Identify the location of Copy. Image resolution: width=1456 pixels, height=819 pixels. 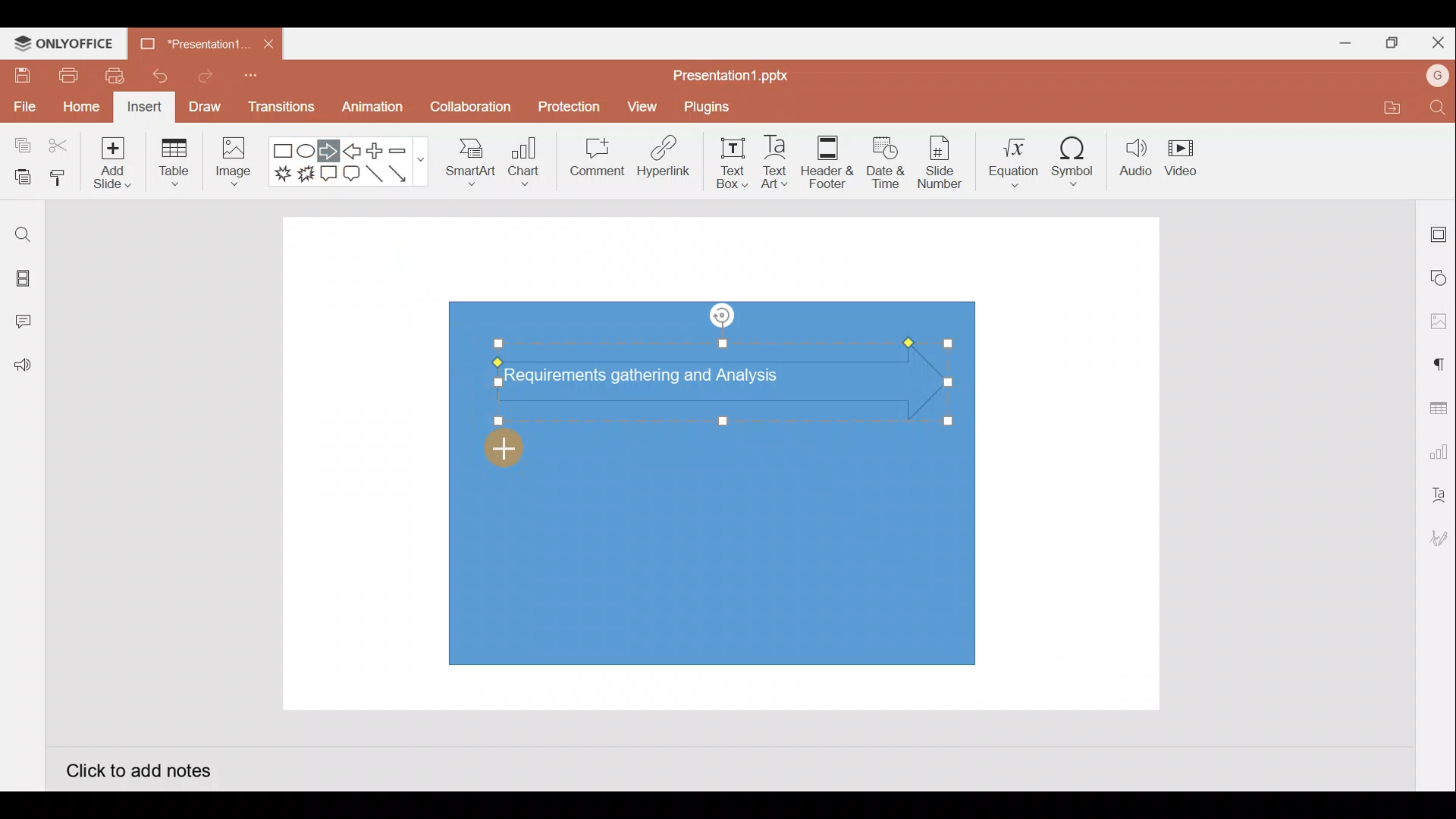
(20, 146).